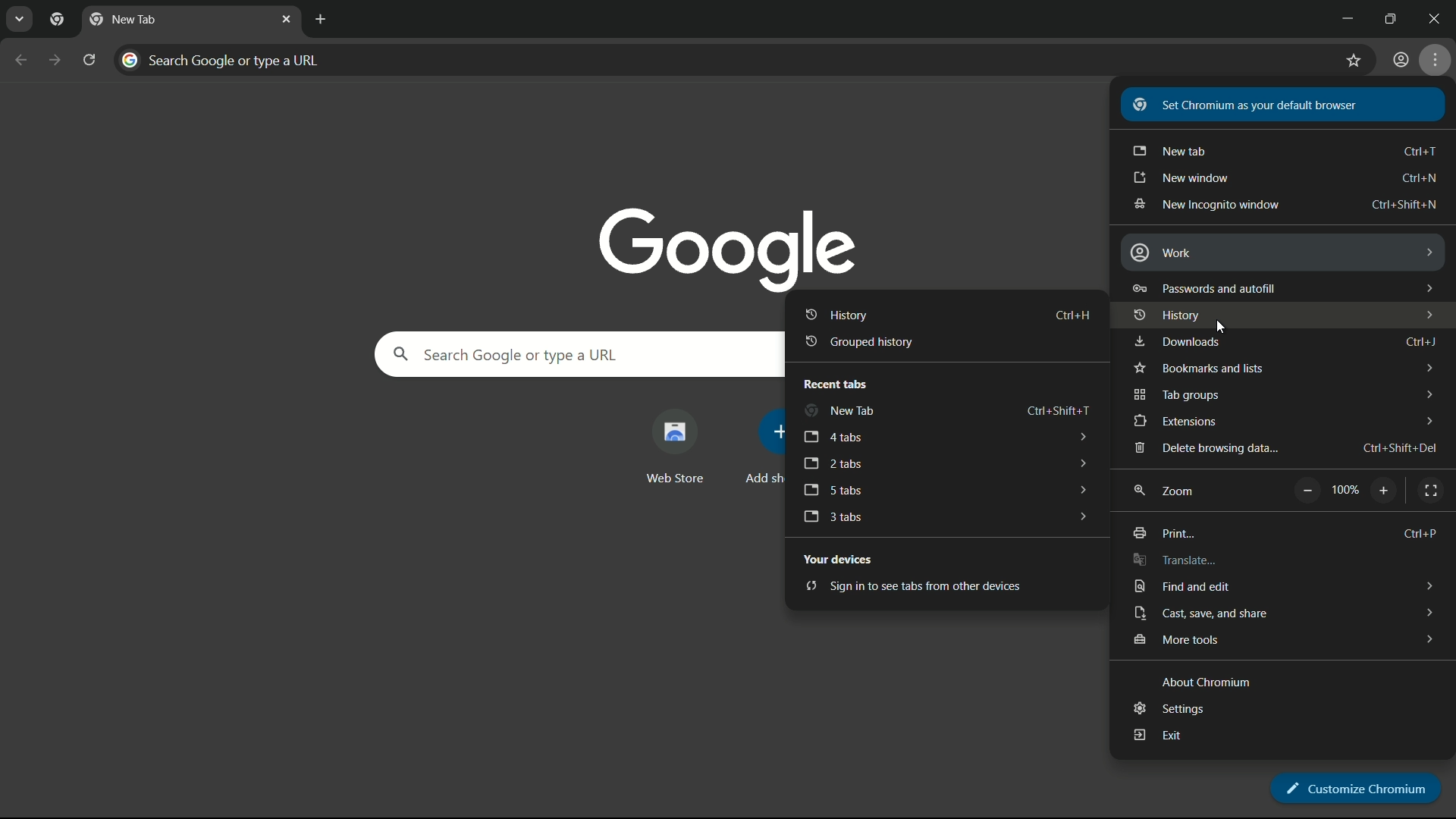  Describe the element at coordinates (1081, 515) in the screenshot. I see `dropdown arrows` at that location.